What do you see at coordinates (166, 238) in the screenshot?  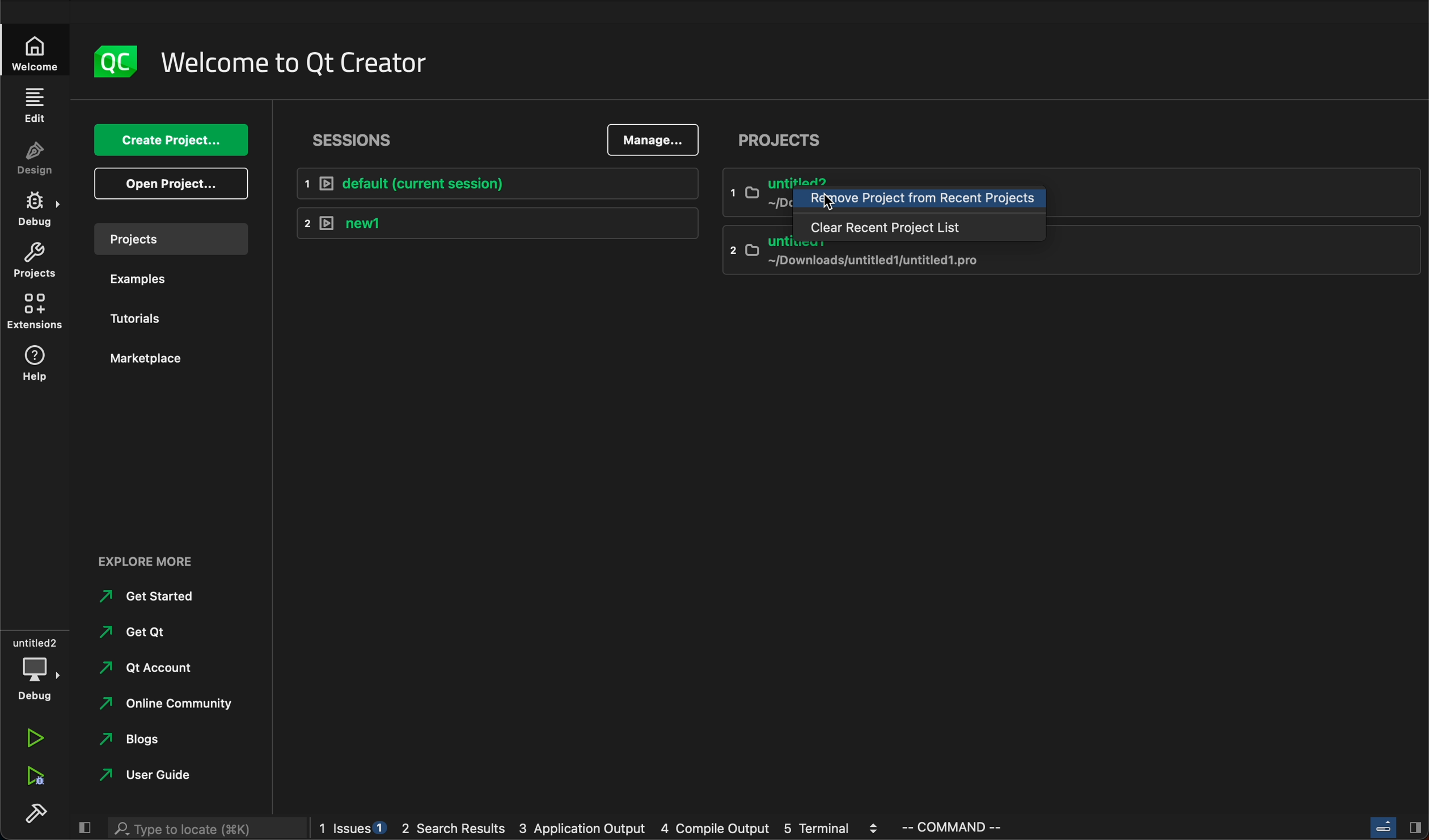 I see `projects` at bounding box center [166, 238].